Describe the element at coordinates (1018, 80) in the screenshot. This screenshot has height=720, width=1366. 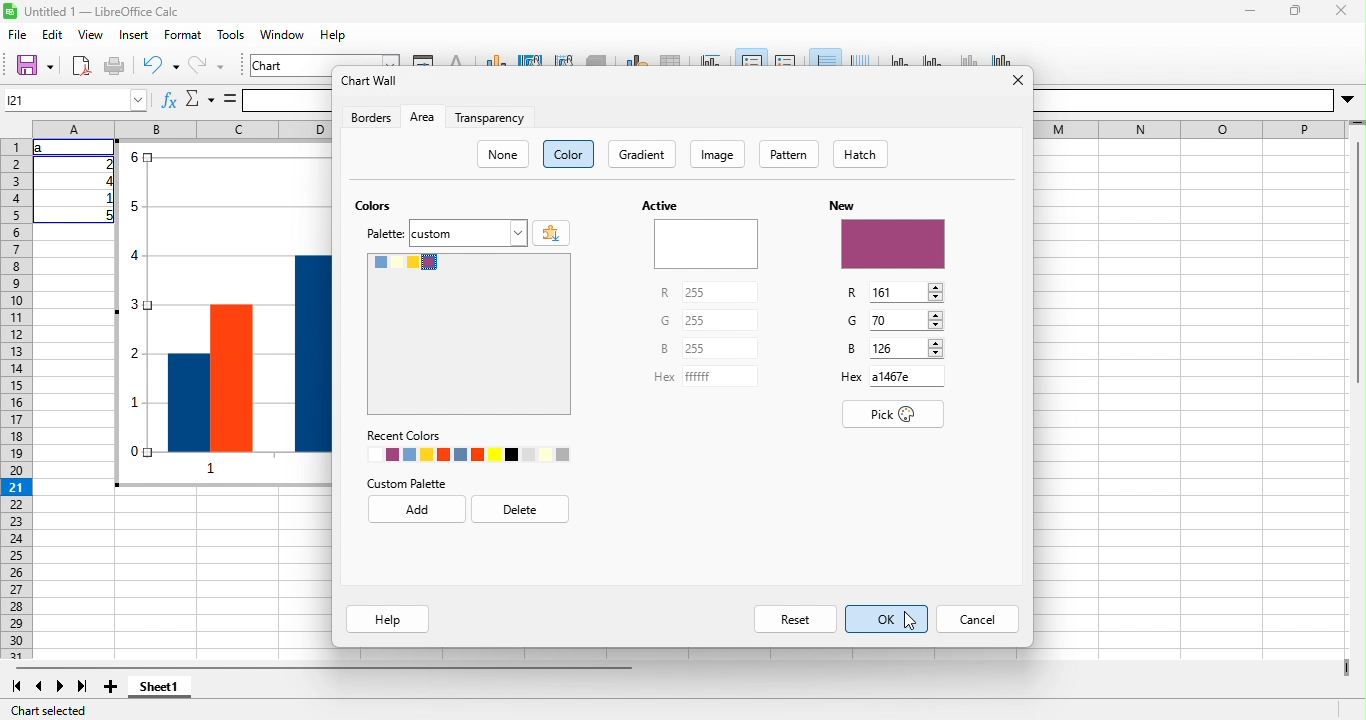
I see `close` at that location.